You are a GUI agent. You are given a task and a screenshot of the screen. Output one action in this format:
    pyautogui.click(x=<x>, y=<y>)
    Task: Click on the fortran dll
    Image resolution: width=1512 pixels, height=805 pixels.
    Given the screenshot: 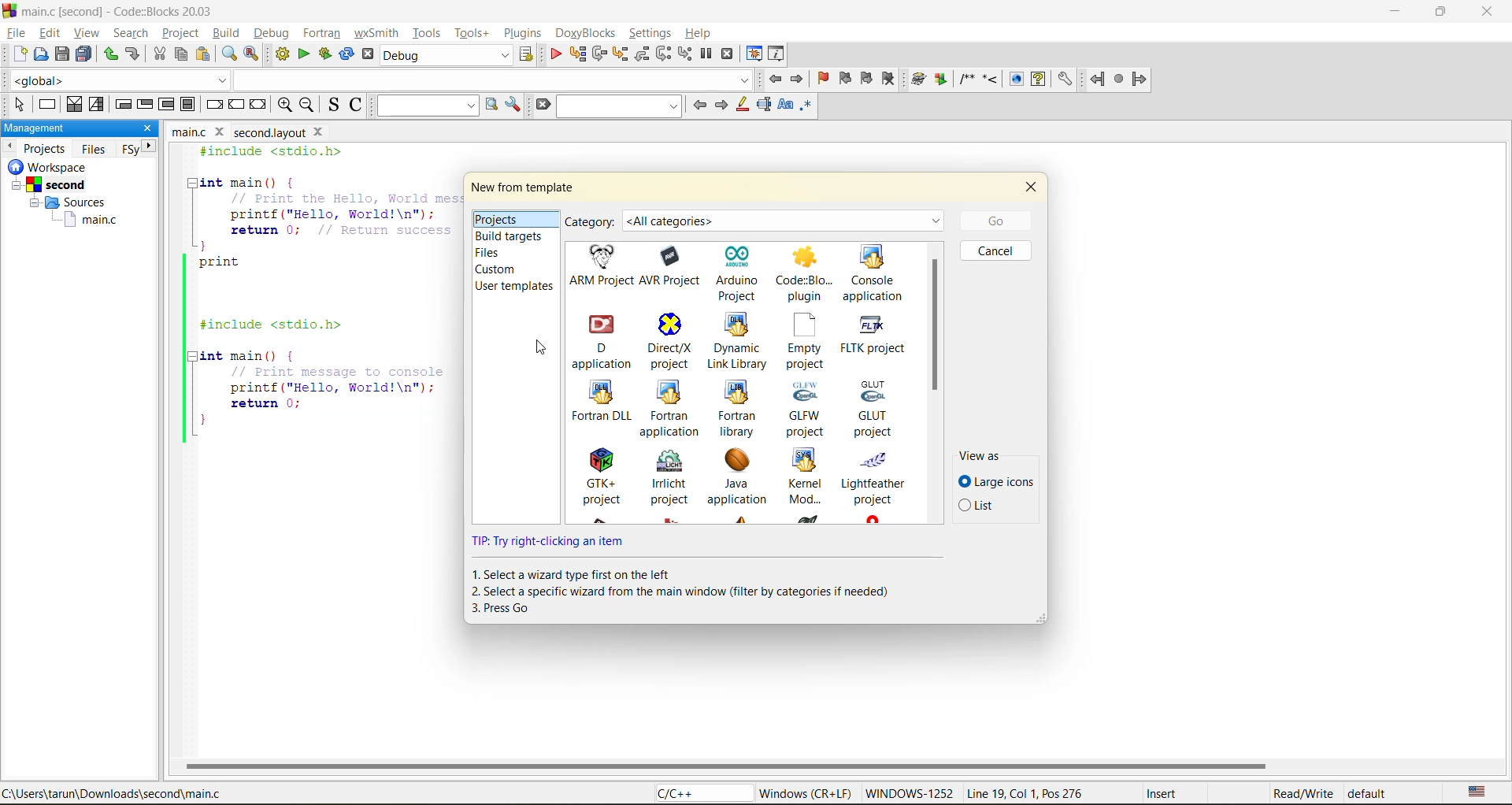 What is the action you would take?
    pyautogui.click(x=602, y=403)
    